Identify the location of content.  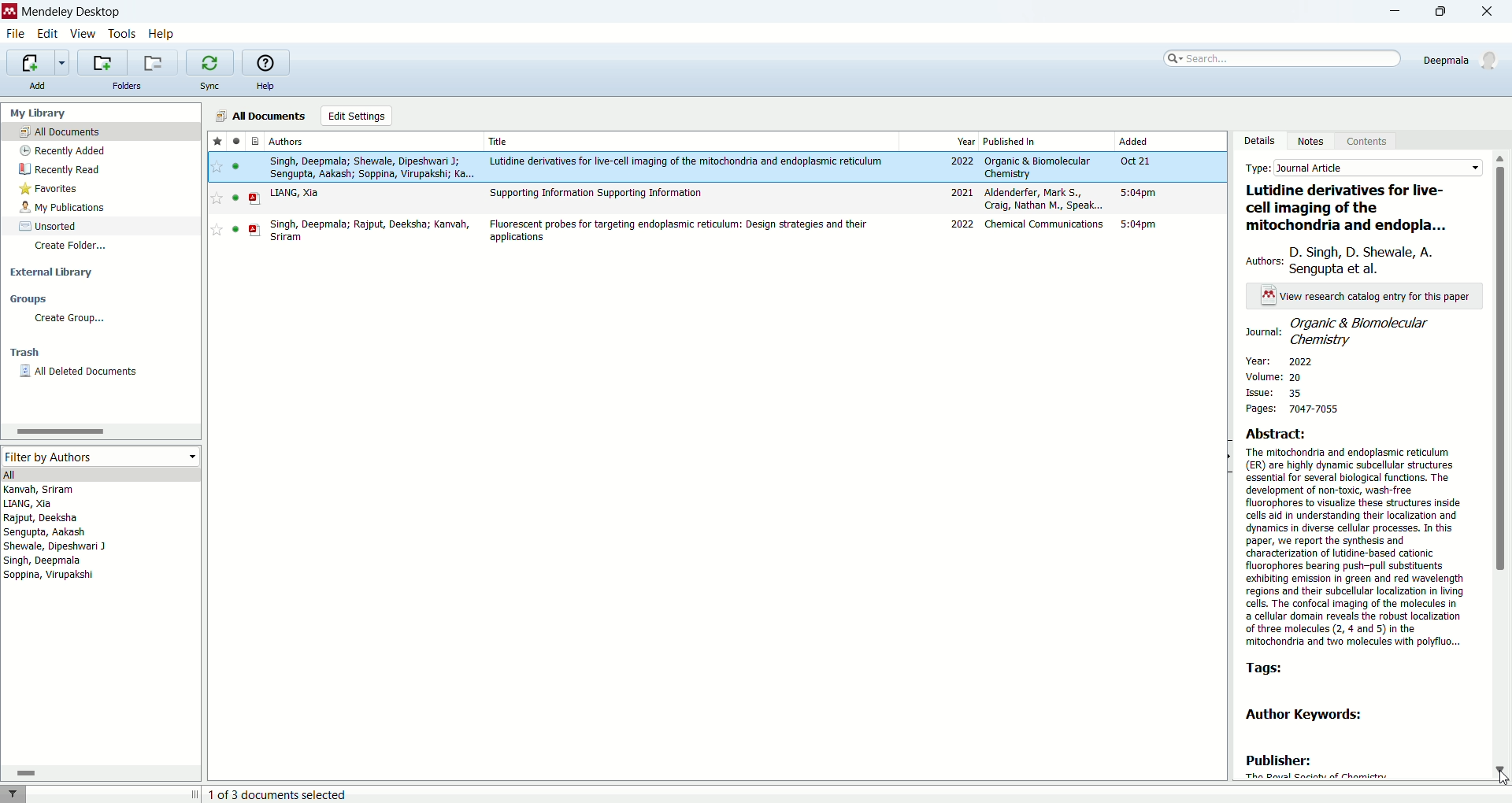
(1364, 142).